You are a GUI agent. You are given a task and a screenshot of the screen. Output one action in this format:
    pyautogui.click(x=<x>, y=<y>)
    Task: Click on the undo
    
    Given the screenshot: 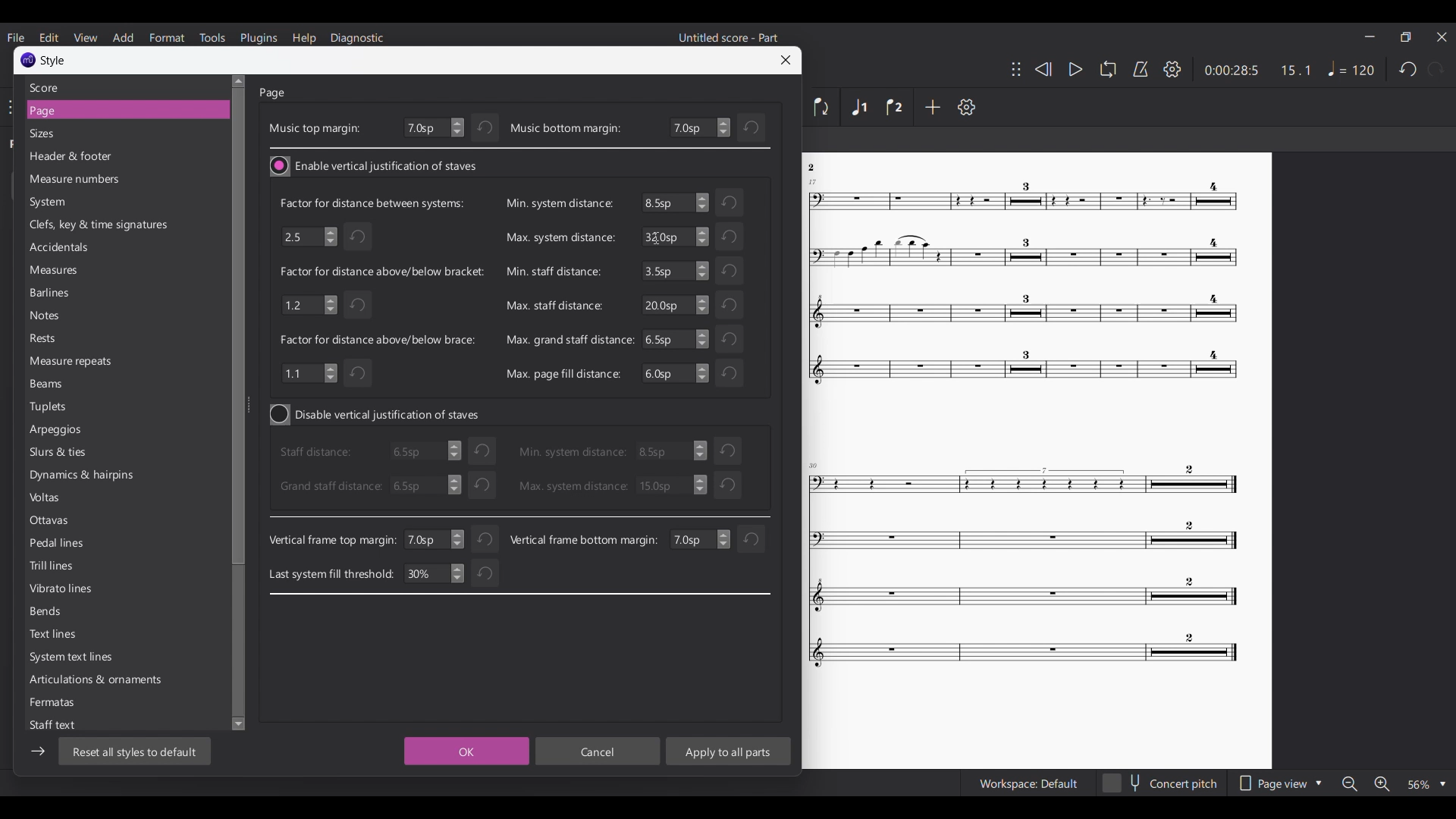 What is the action you would take?
    pyautogui.click(x=482, y=450)
    